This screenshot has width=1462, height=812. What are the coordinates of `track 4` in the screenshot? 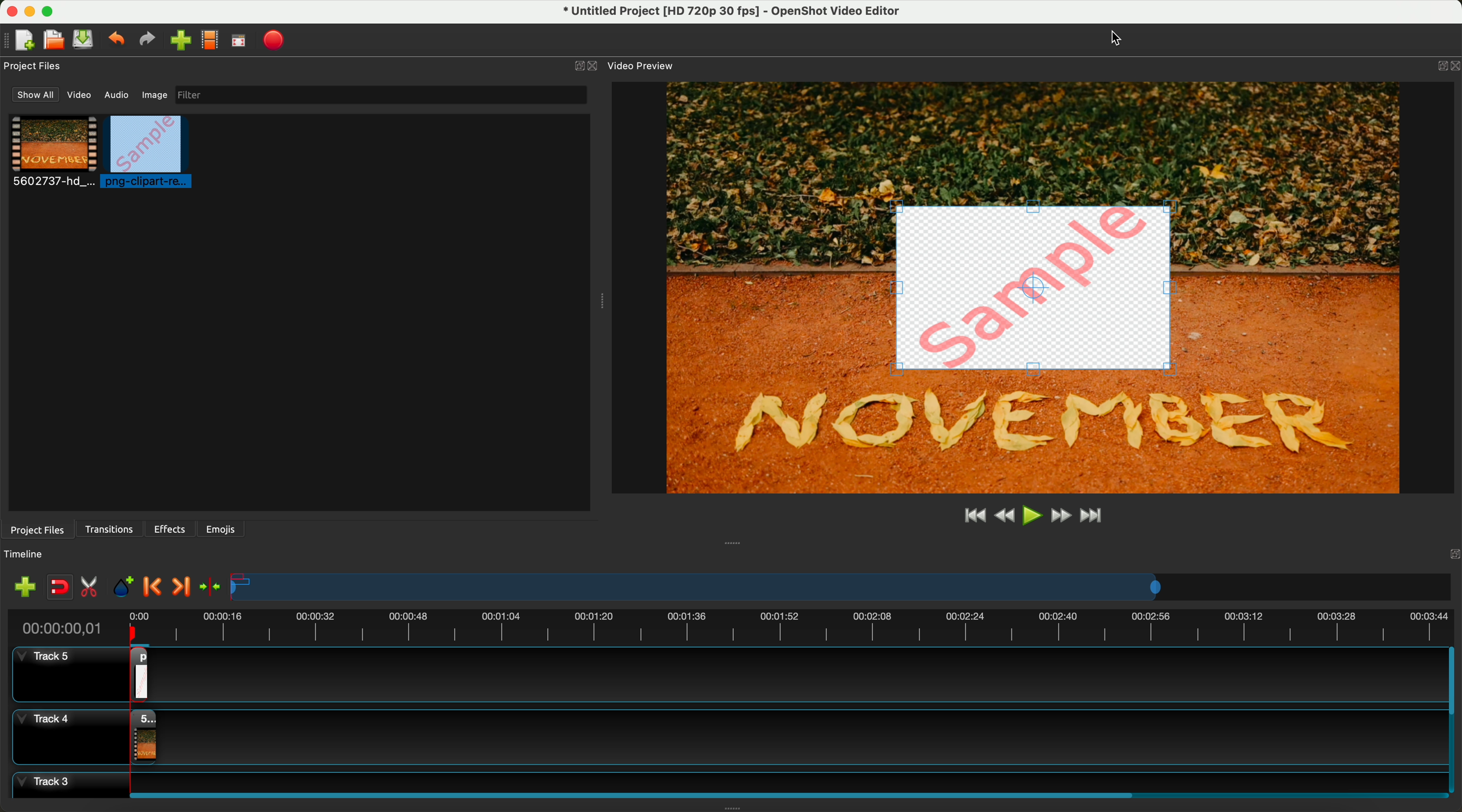 It's located at (722, 734).